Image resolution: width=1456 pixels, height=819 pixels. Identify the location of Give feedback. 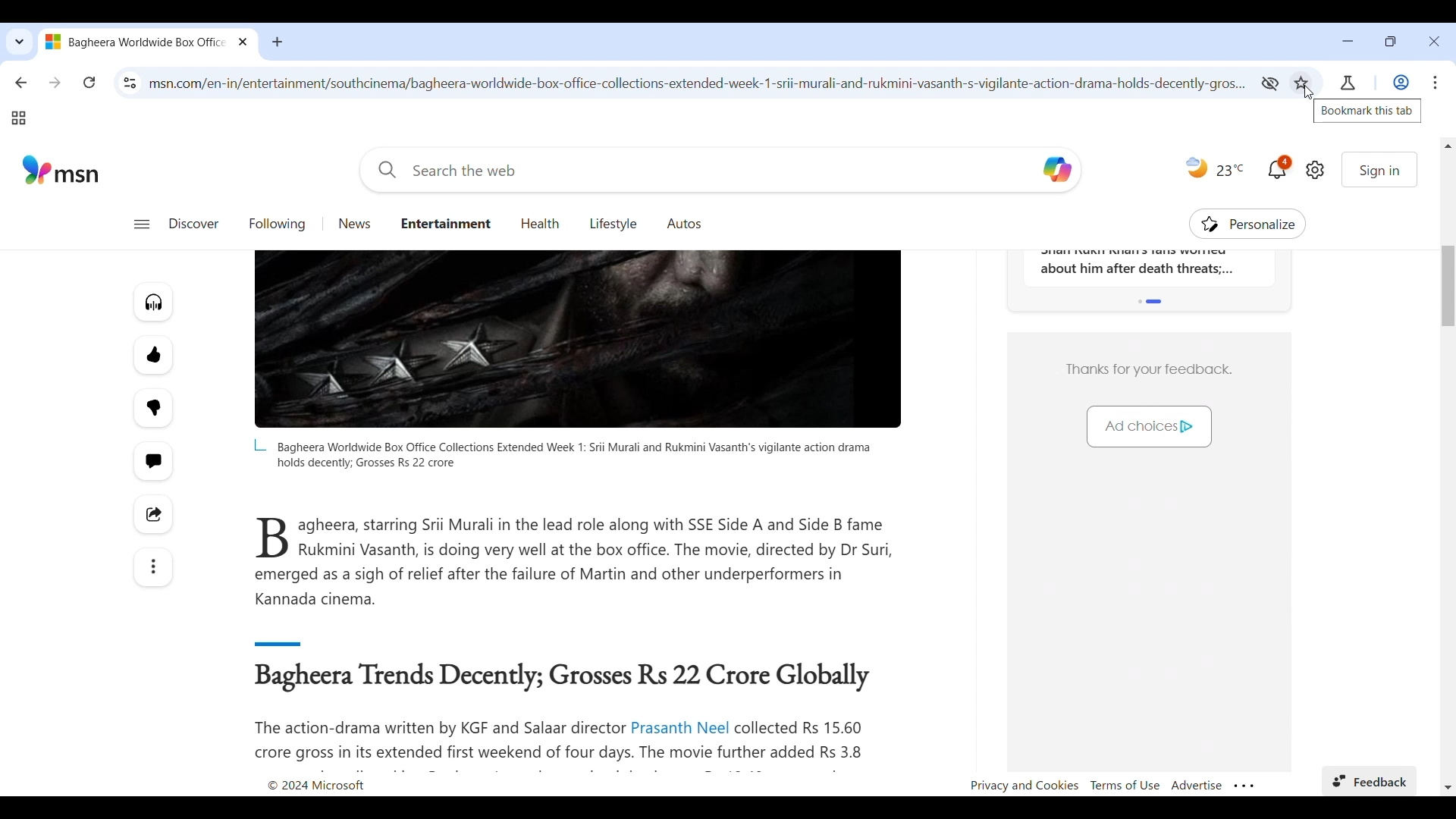
(1369, 781).